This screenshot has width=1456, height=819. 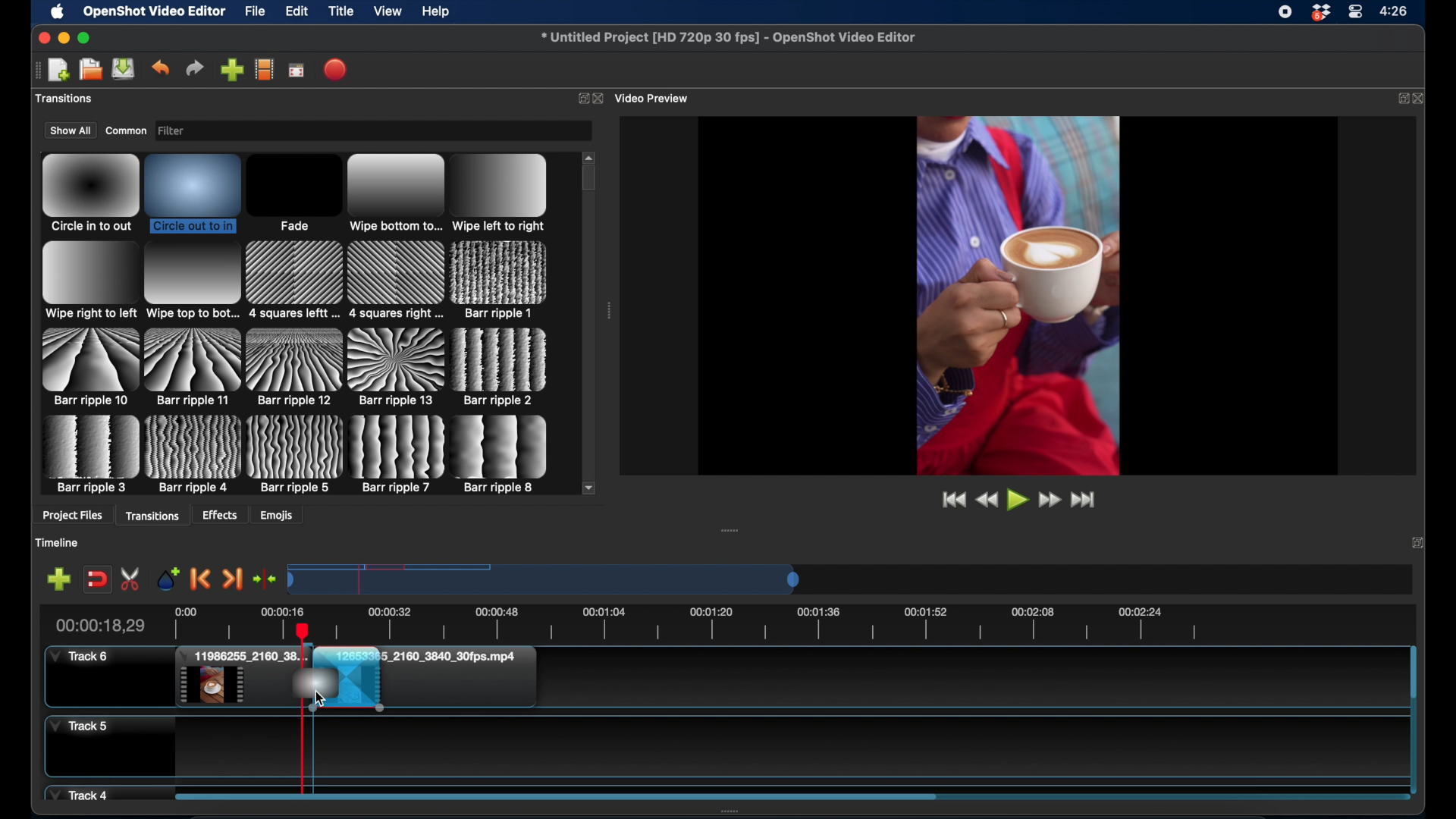 I want to click on timeline, so click(x=58, y=542).